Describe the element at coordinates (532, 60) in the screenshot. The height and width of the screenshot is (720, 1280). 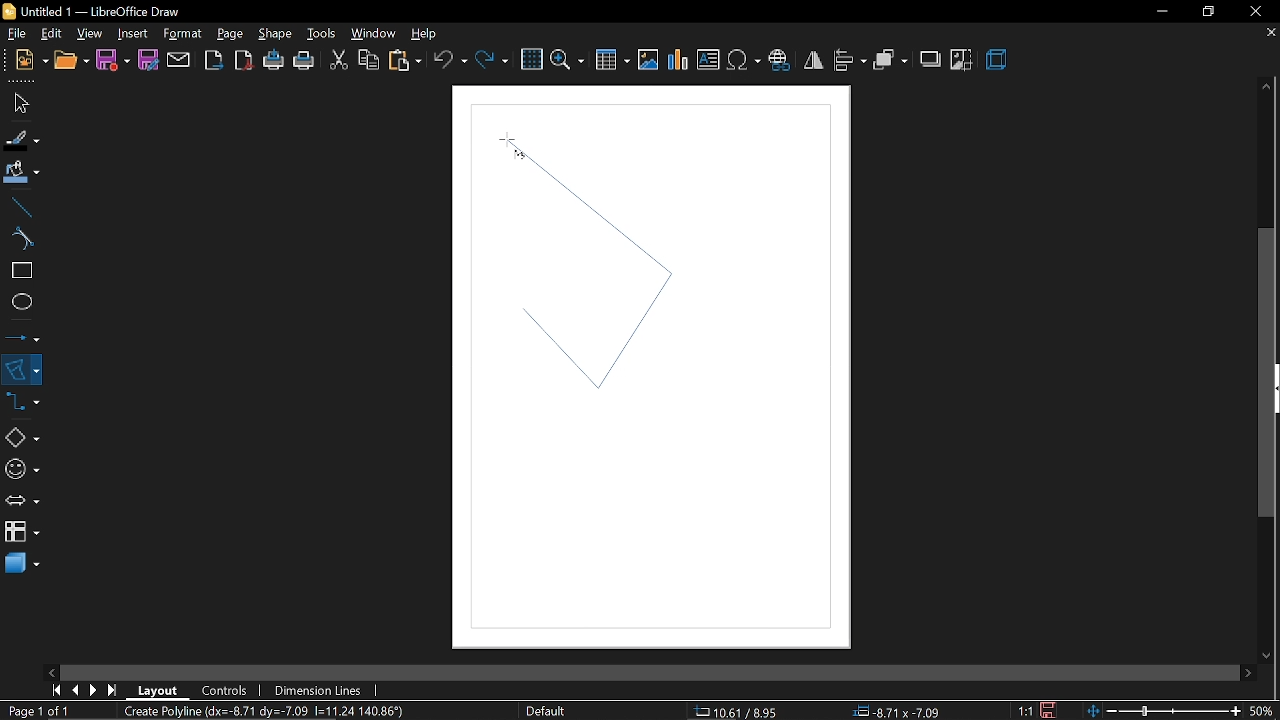
I see `grid` at that location.